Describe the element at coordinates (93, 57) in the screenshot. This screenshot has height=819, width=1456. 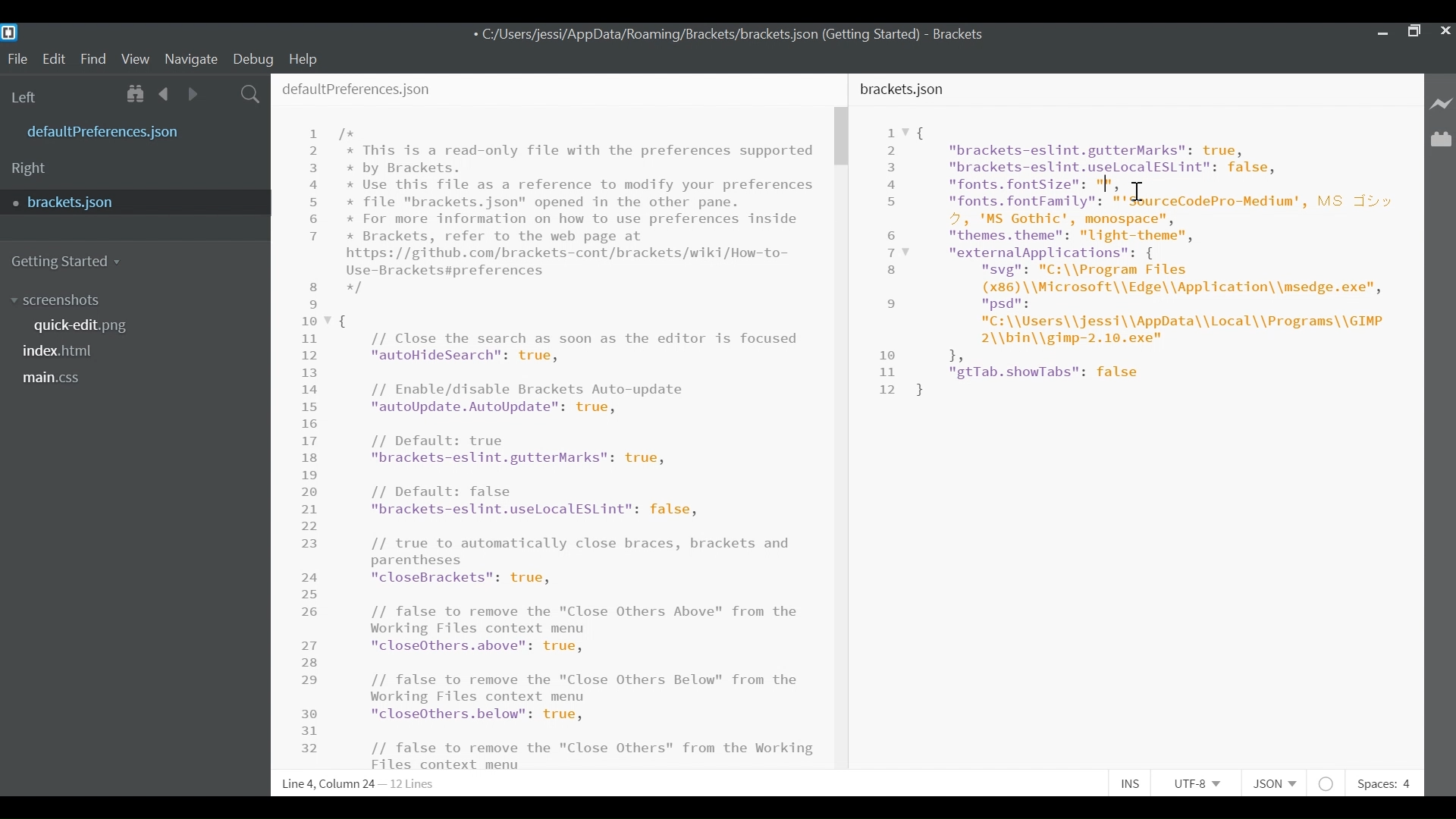
I see `Find` at that location.